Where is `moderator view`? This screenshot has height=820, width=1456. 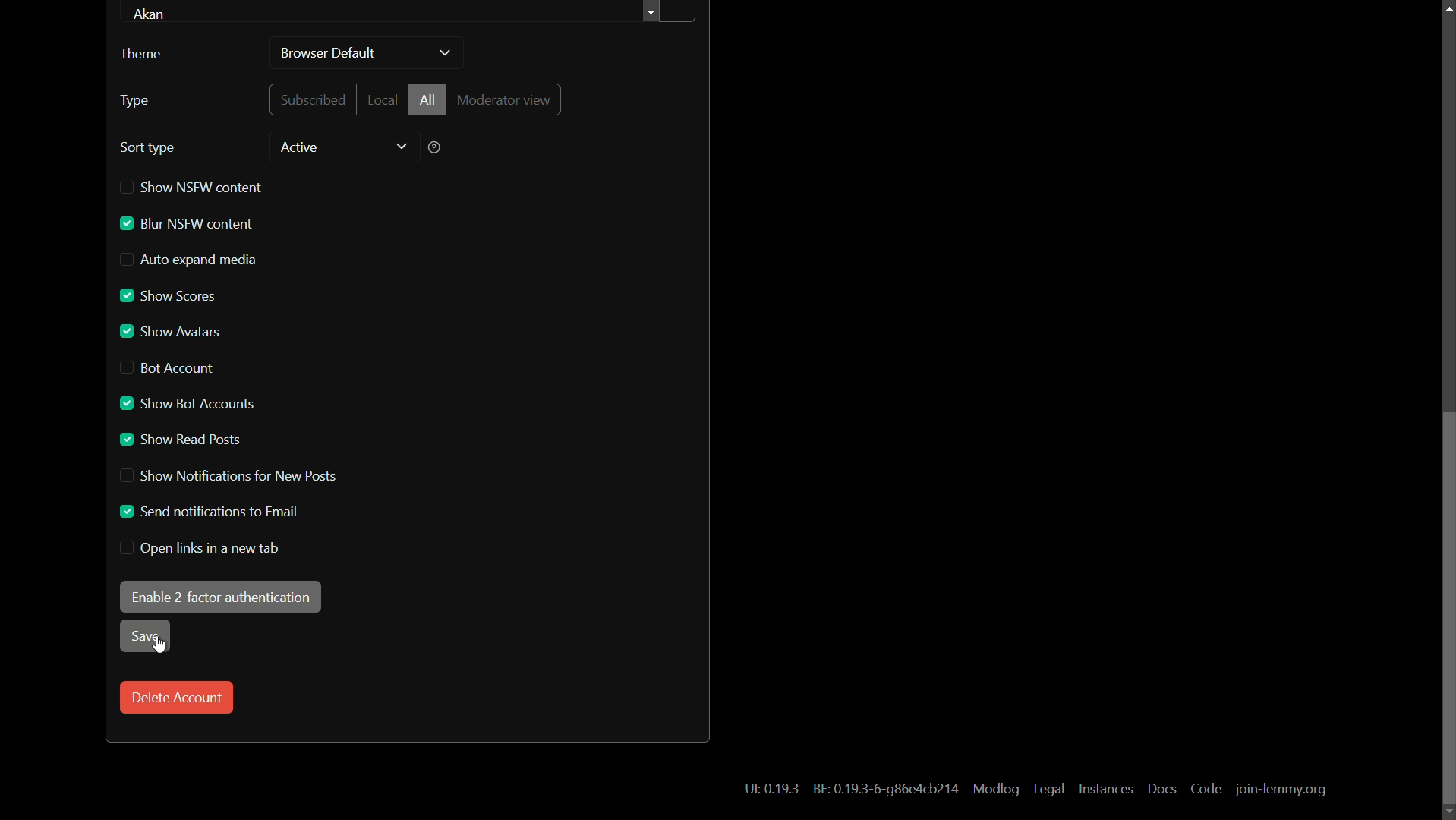
moderator view is located at coordinates (505, 99).